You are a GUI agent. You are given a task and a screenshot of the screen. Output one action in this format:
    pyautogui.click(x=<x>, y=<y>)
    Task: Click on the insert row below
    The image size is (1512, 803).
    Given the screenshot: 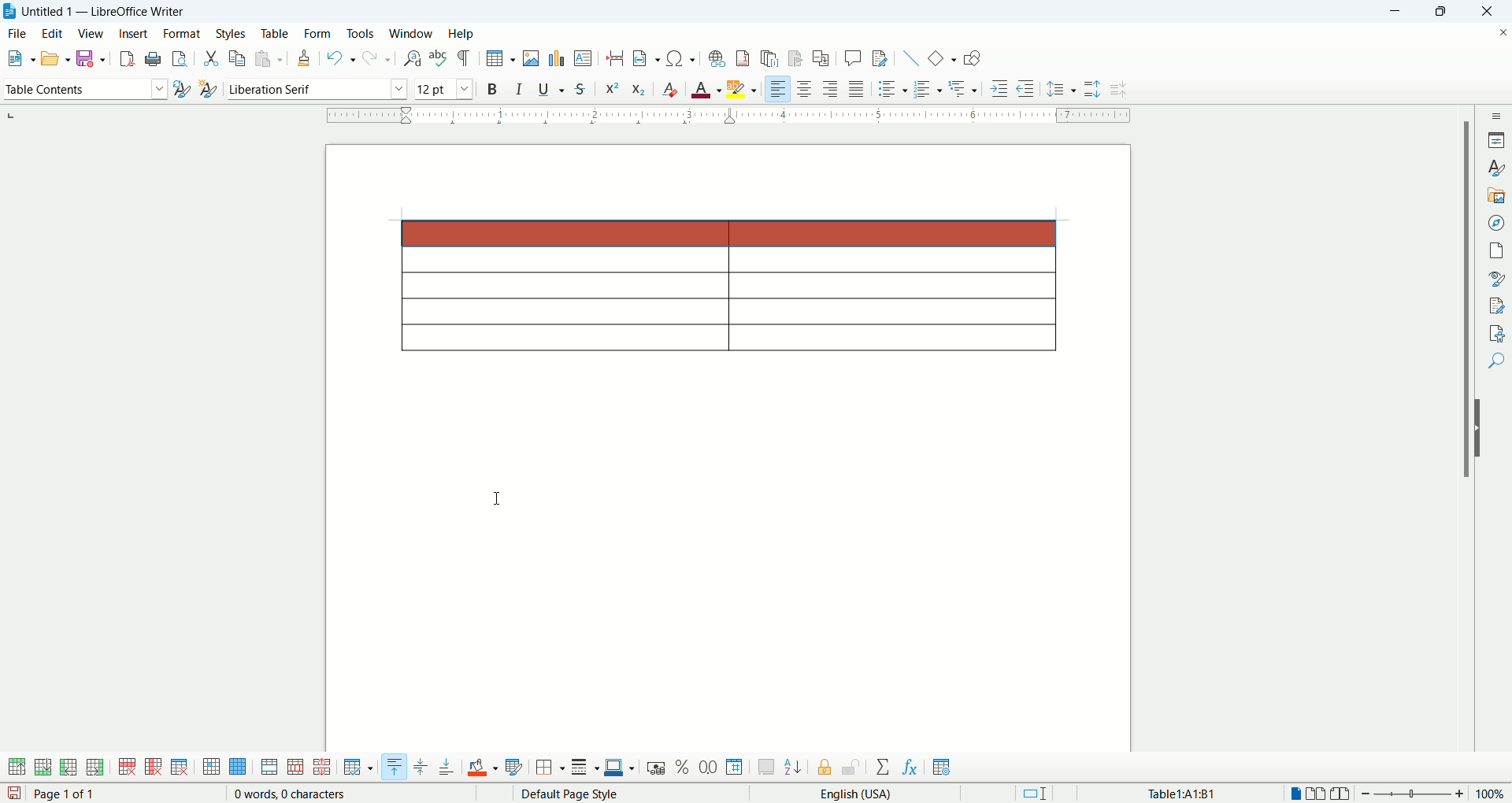 What is the action you would take?
    pyautogui.click(x=44, y=766)
    